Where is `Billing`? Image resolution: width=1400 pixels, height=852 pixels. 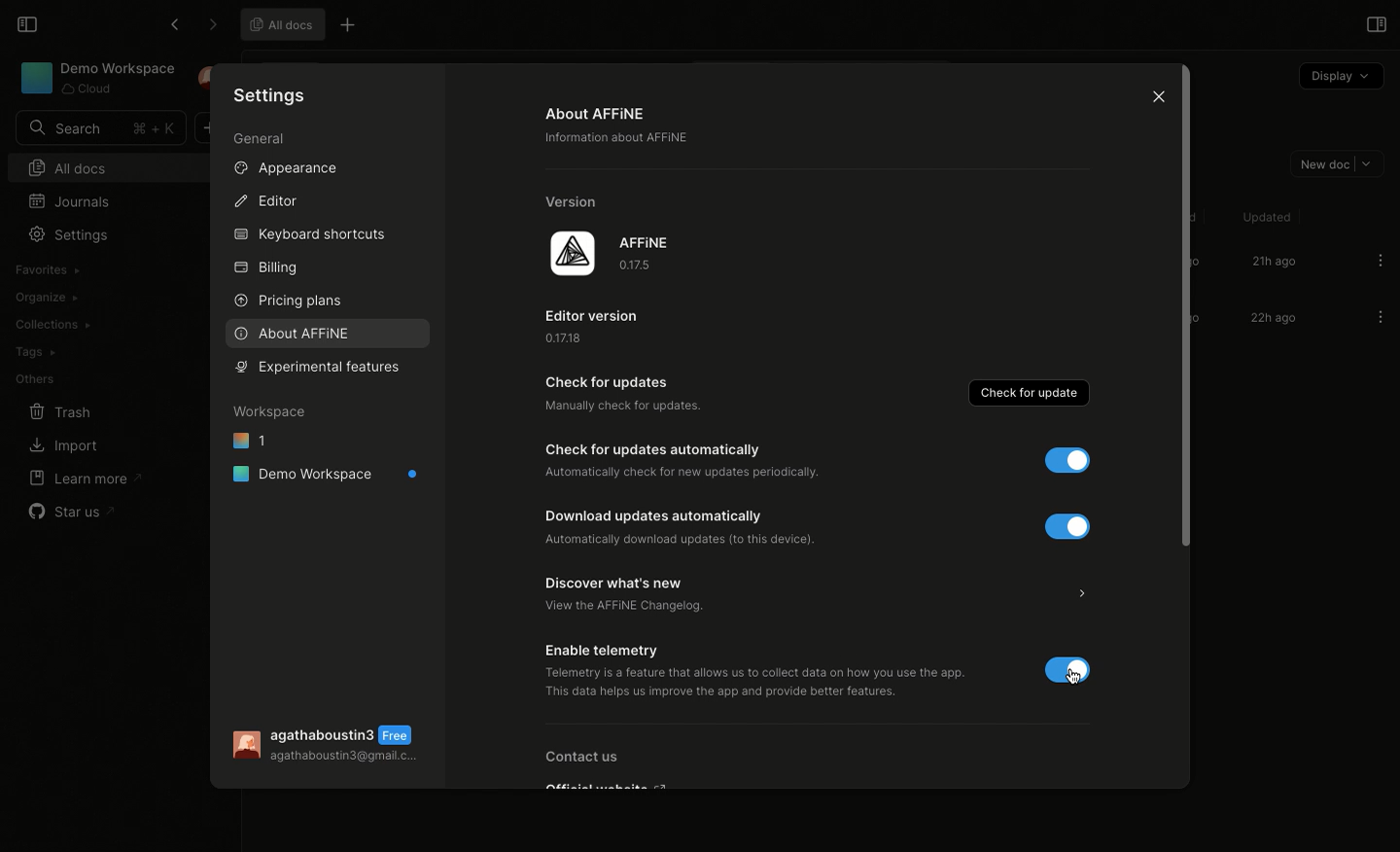
Billing is located at coordinates (266, 270).